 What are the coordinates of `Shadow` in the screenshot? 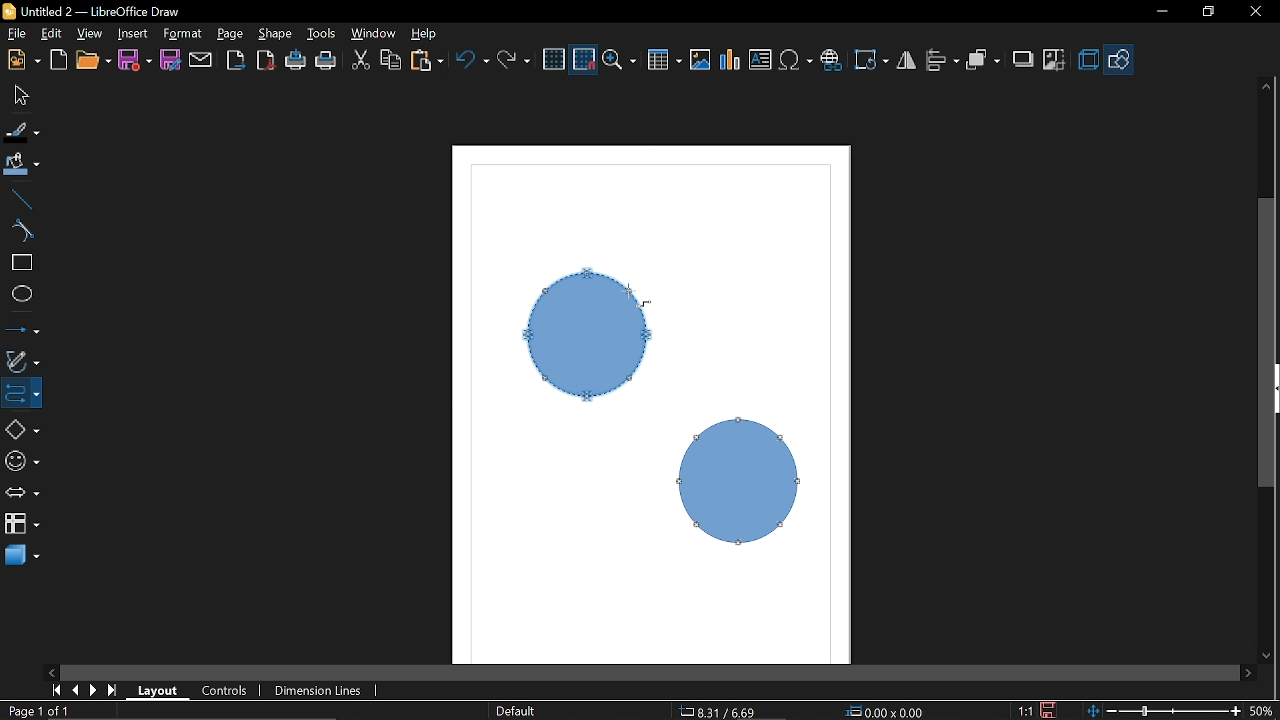 It's located at (1022, 60).